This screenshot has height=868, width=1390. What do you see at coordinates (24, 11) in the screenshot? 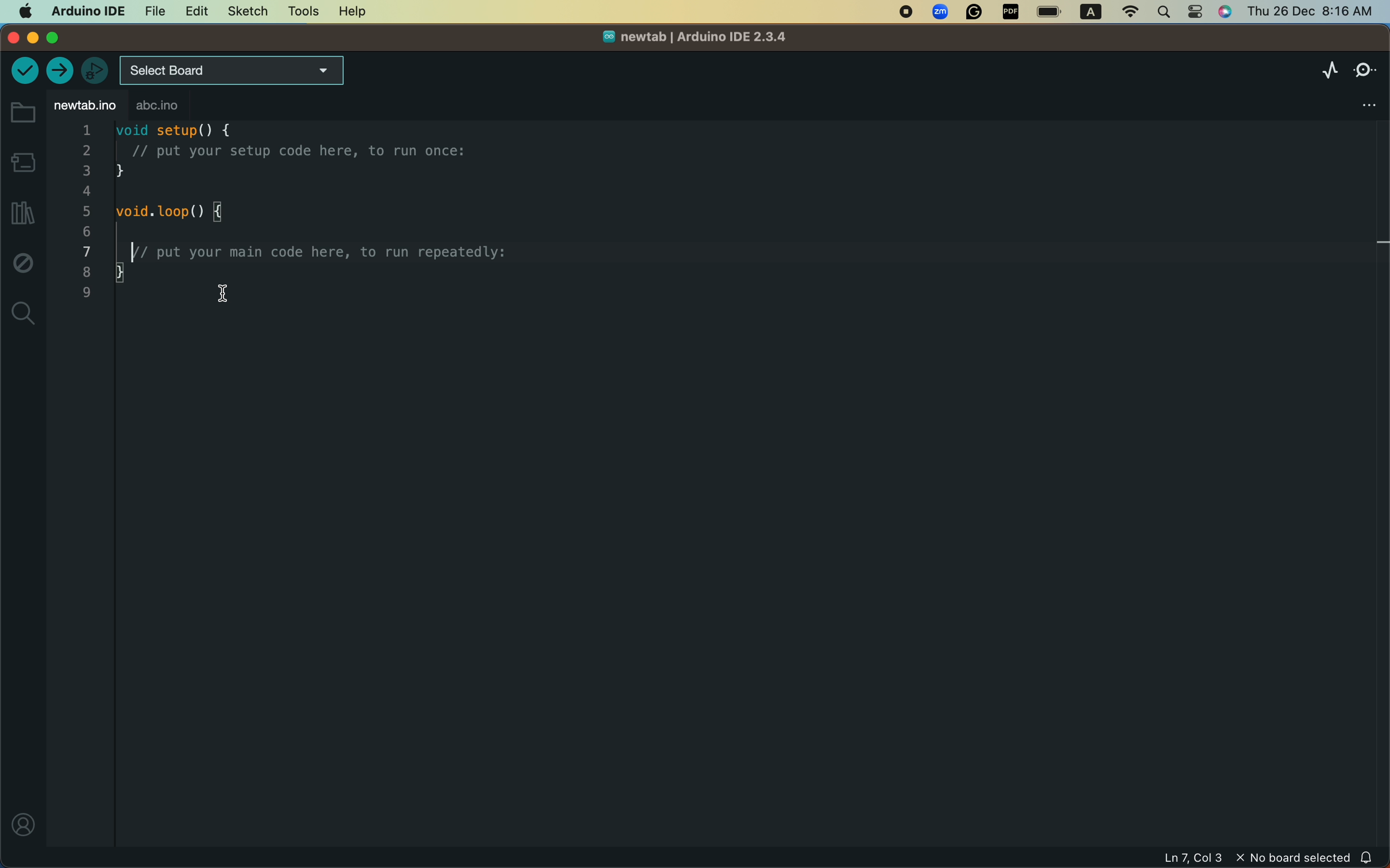
I see `main setting` at bounding box center [24, 11].